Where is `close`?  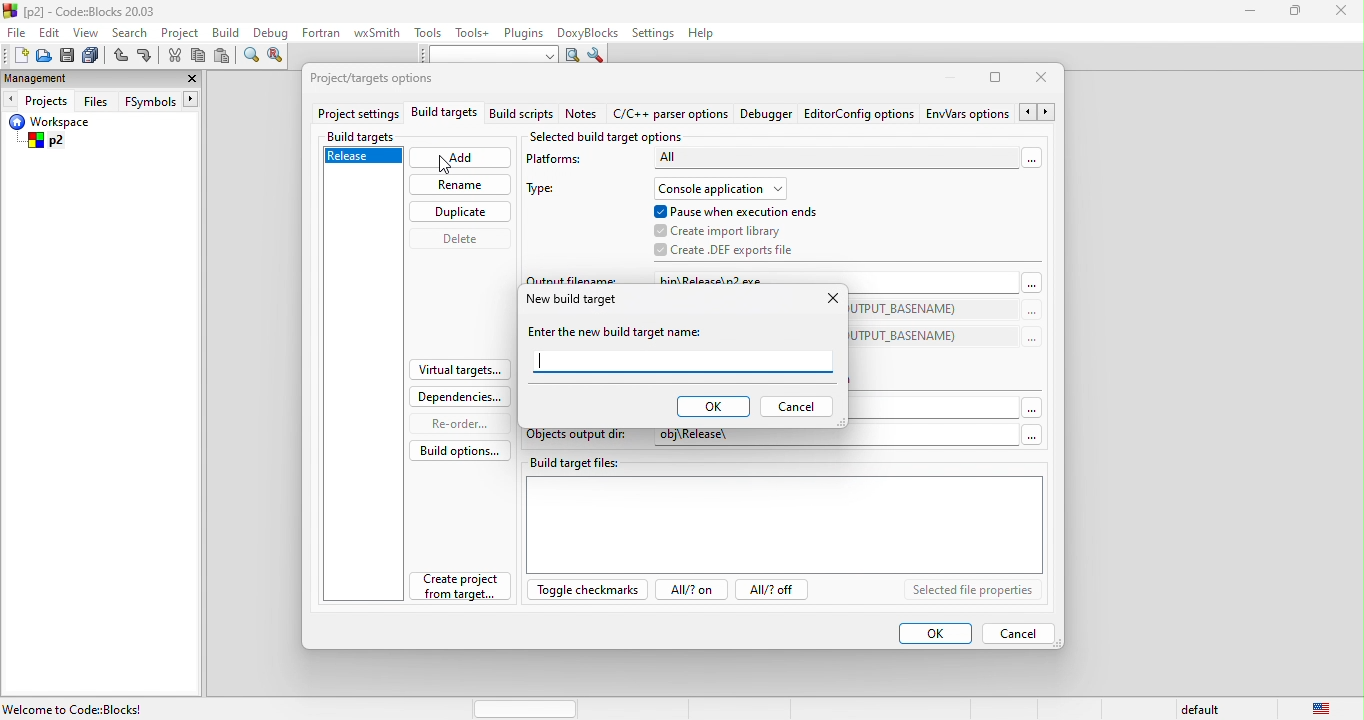
close is located at coordinates (1041, 78).